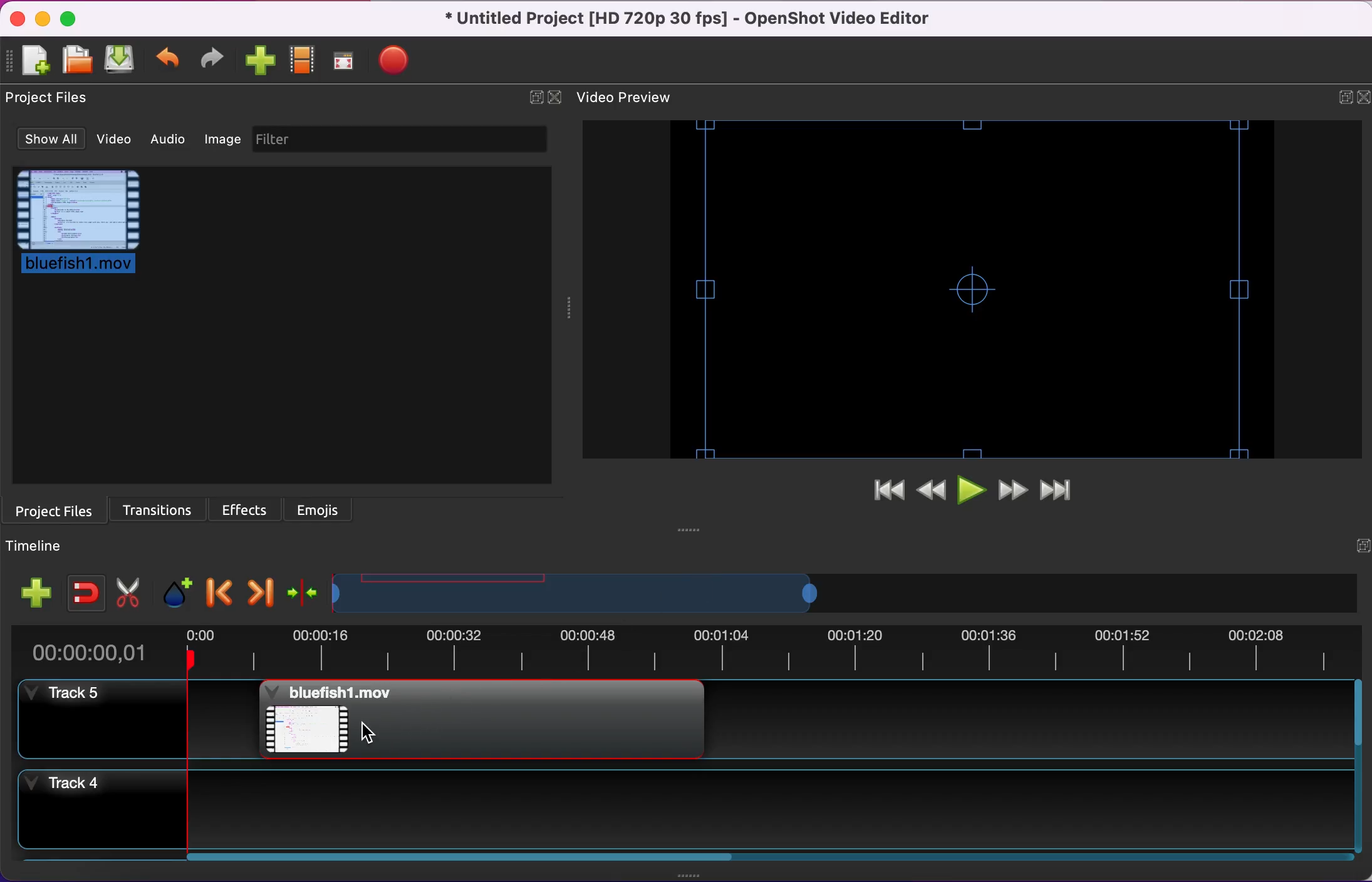 The image size is (1372, 882). I want to click on timeline, so click(575, 593).